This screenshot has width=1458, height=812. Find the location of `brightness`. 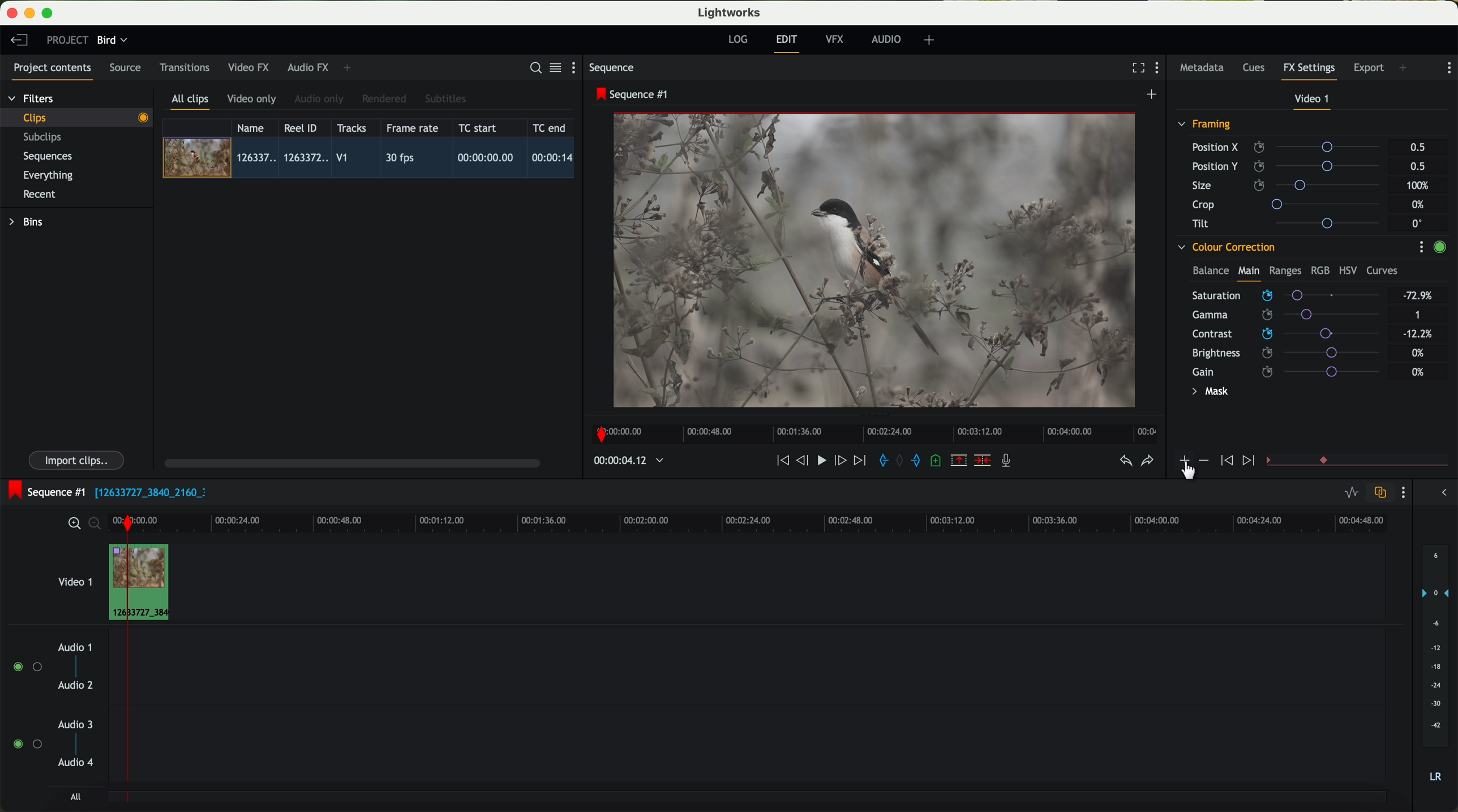

brightness is located at coordinates (1295, 353).